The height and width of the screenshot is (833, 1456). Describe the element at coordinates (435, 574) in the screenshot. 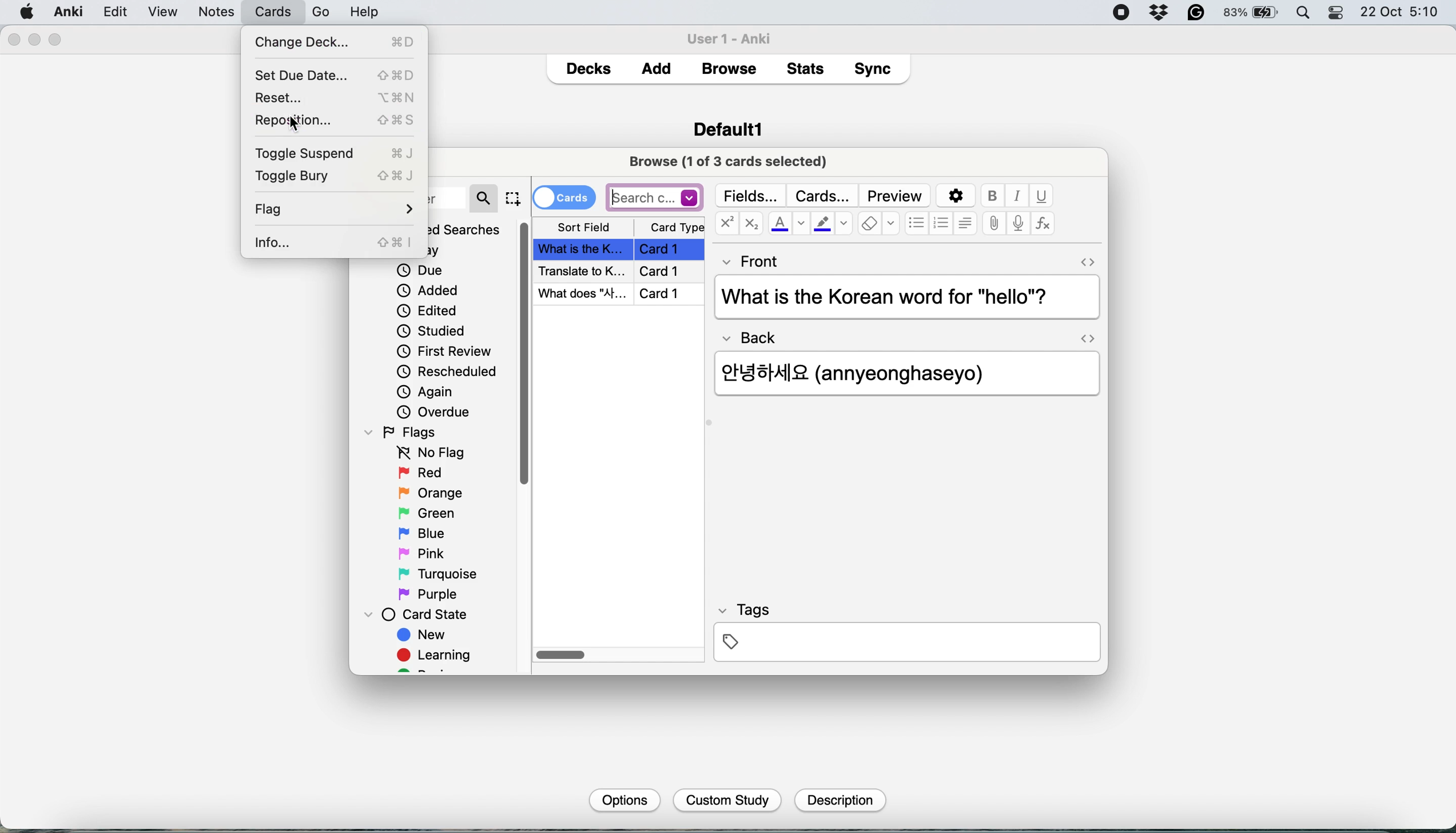

I see `turquiose` at that location.